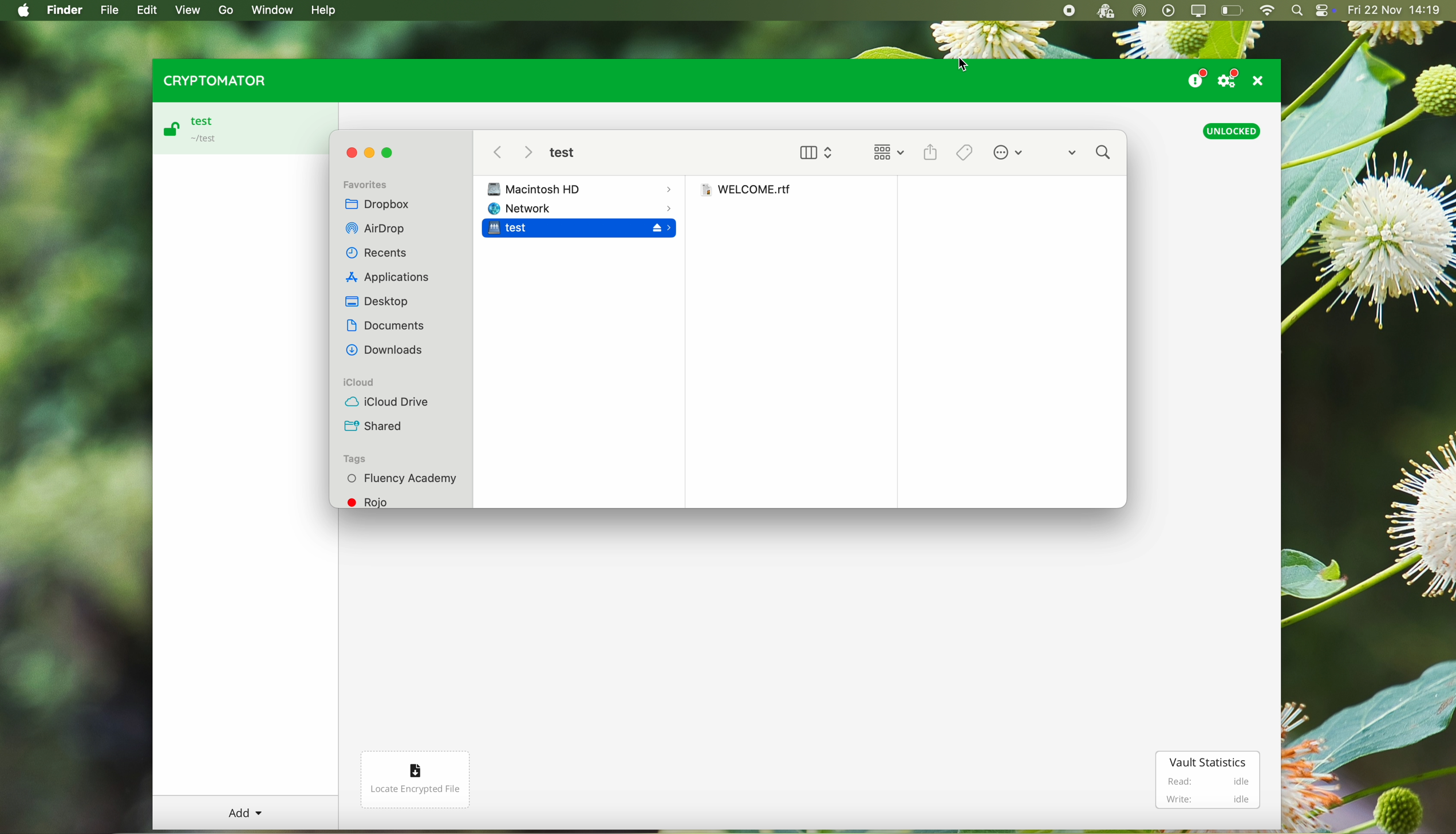  Describe the element at coordinates (1297, 11) in the screenshot. I see `spotlight search` at that location.